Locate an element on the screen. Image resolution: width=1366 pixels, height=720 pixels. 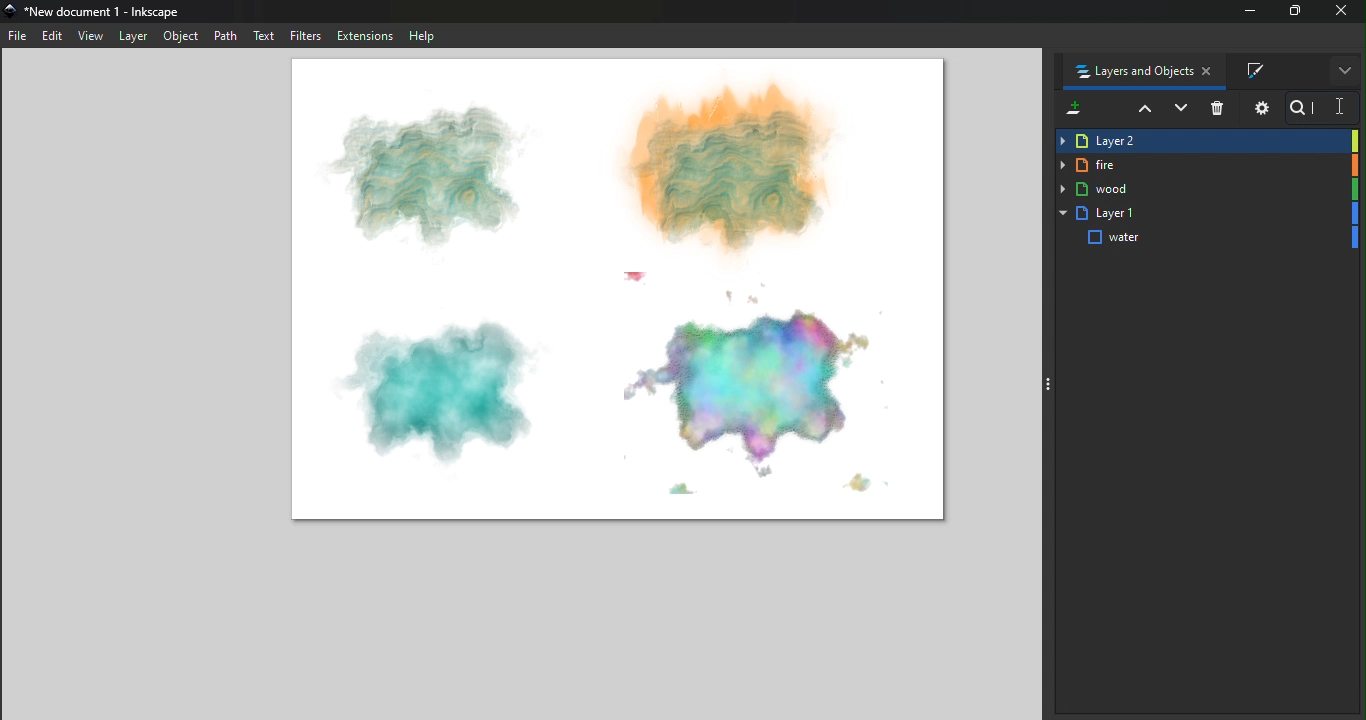
Maximize is located at coordinates (1294, 10).